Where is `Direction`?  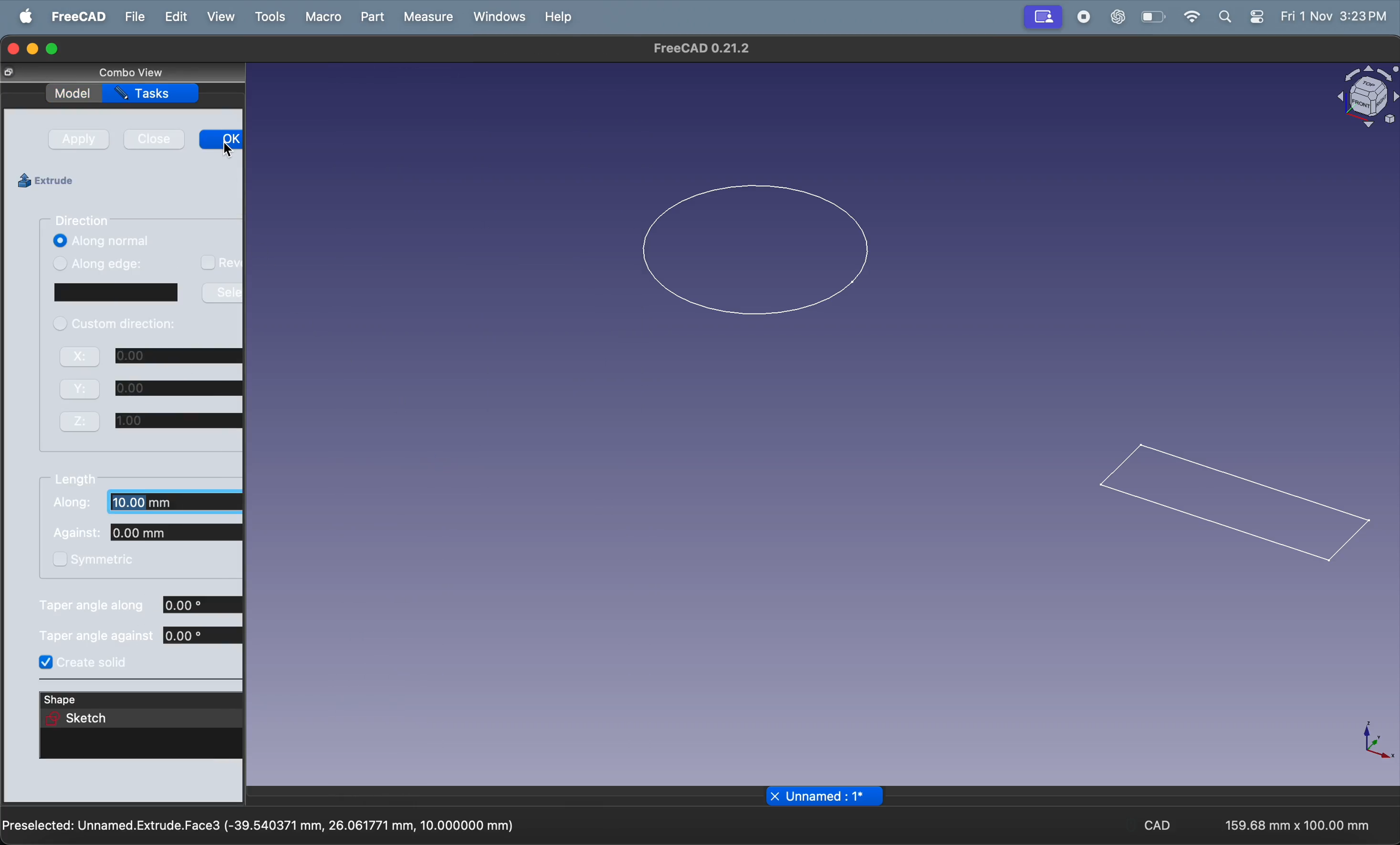
Direction is located at coordinates (87, 221).